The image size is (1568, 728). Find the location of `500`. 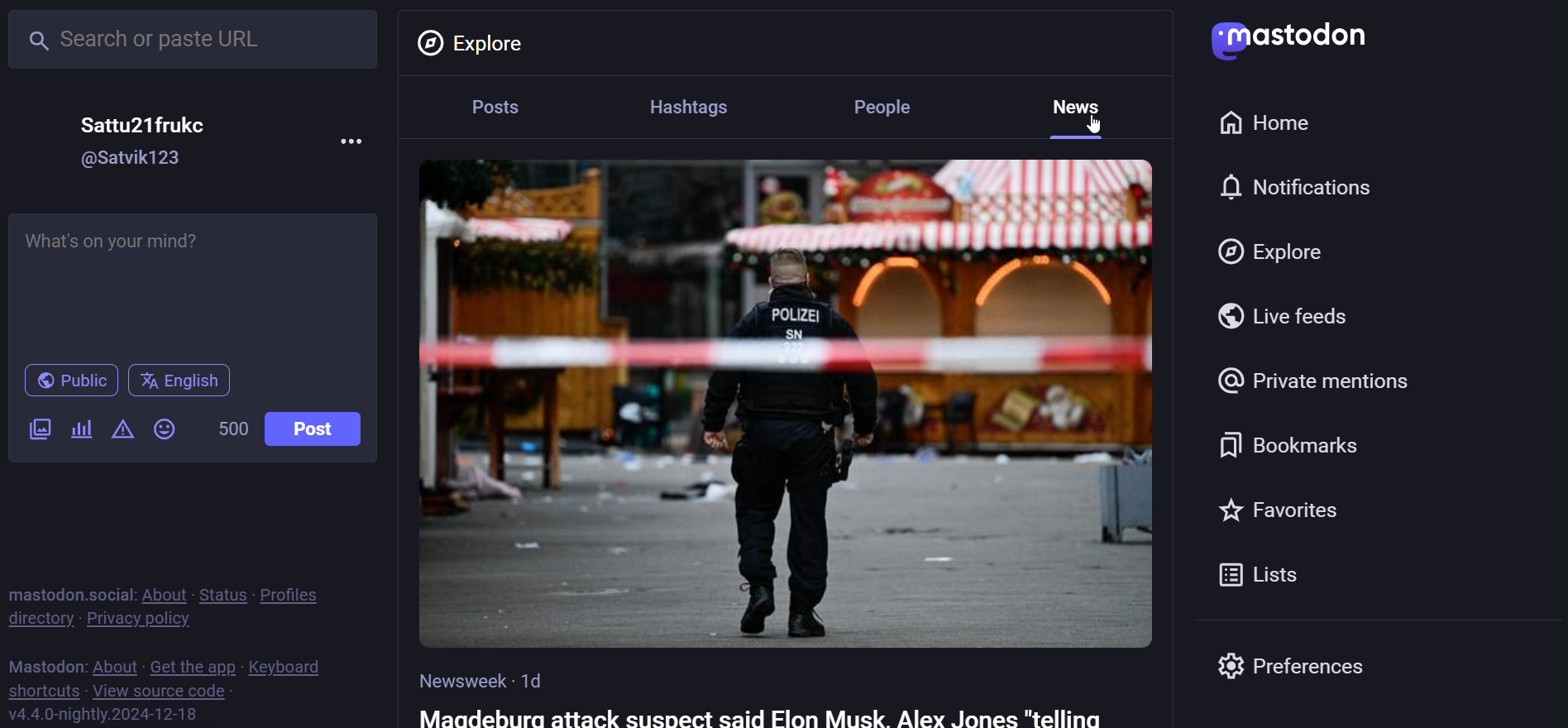

500 is located at coordinates (232, 430).